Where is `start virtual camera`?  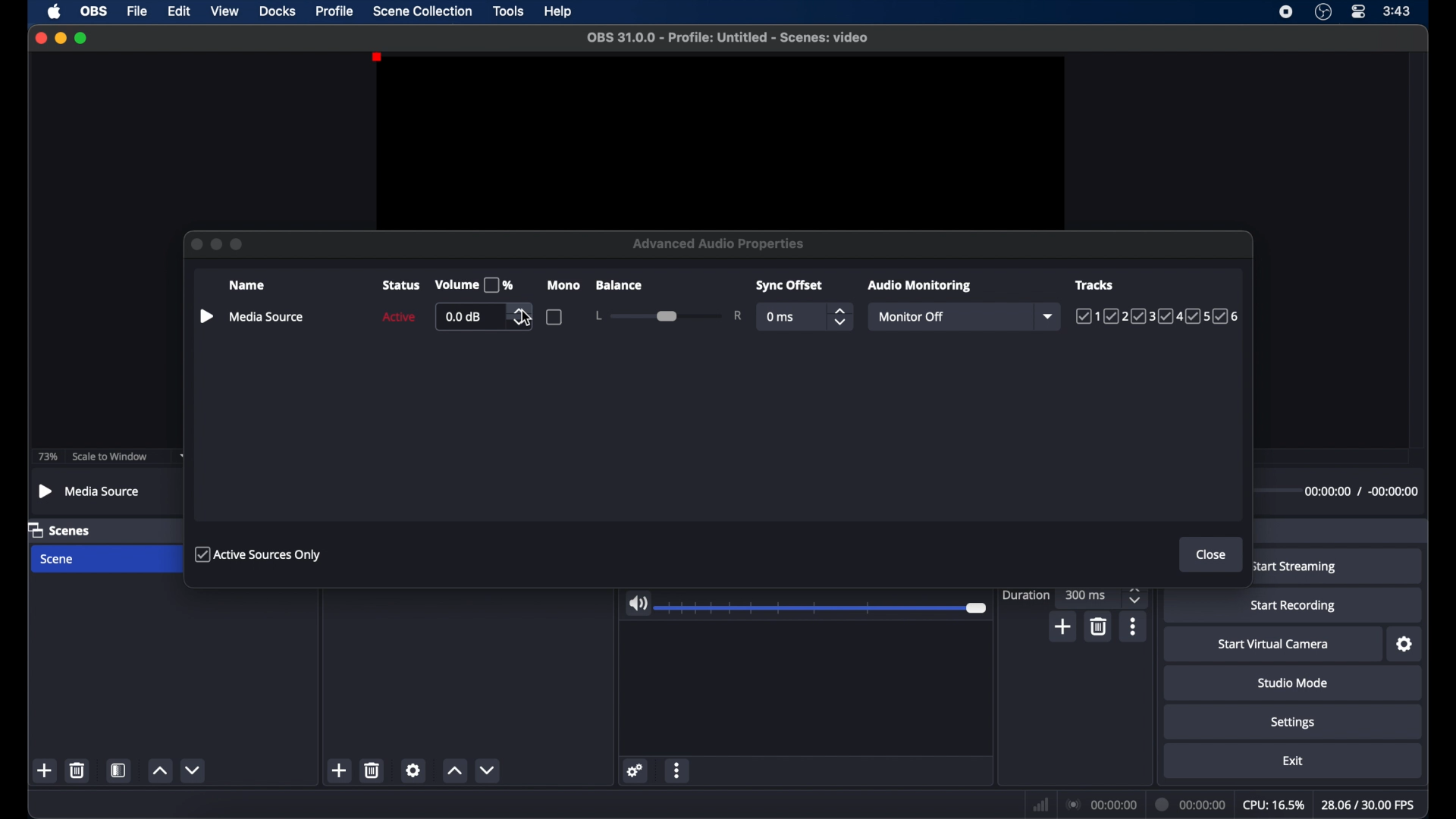
start virtual camera is located at coordinates (1272, 645).